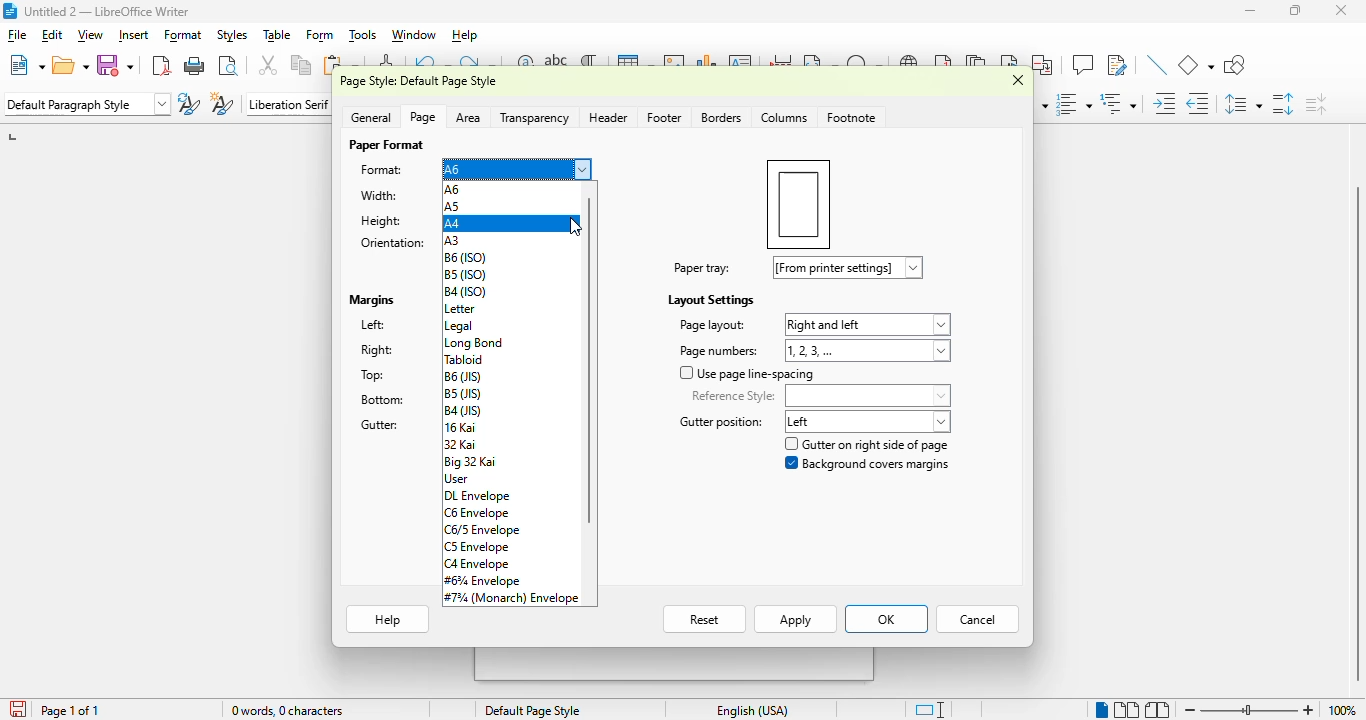  What do you see at coordinates (470, 118) in the screenshot?
I see `area` at bounding box center [470, 118].